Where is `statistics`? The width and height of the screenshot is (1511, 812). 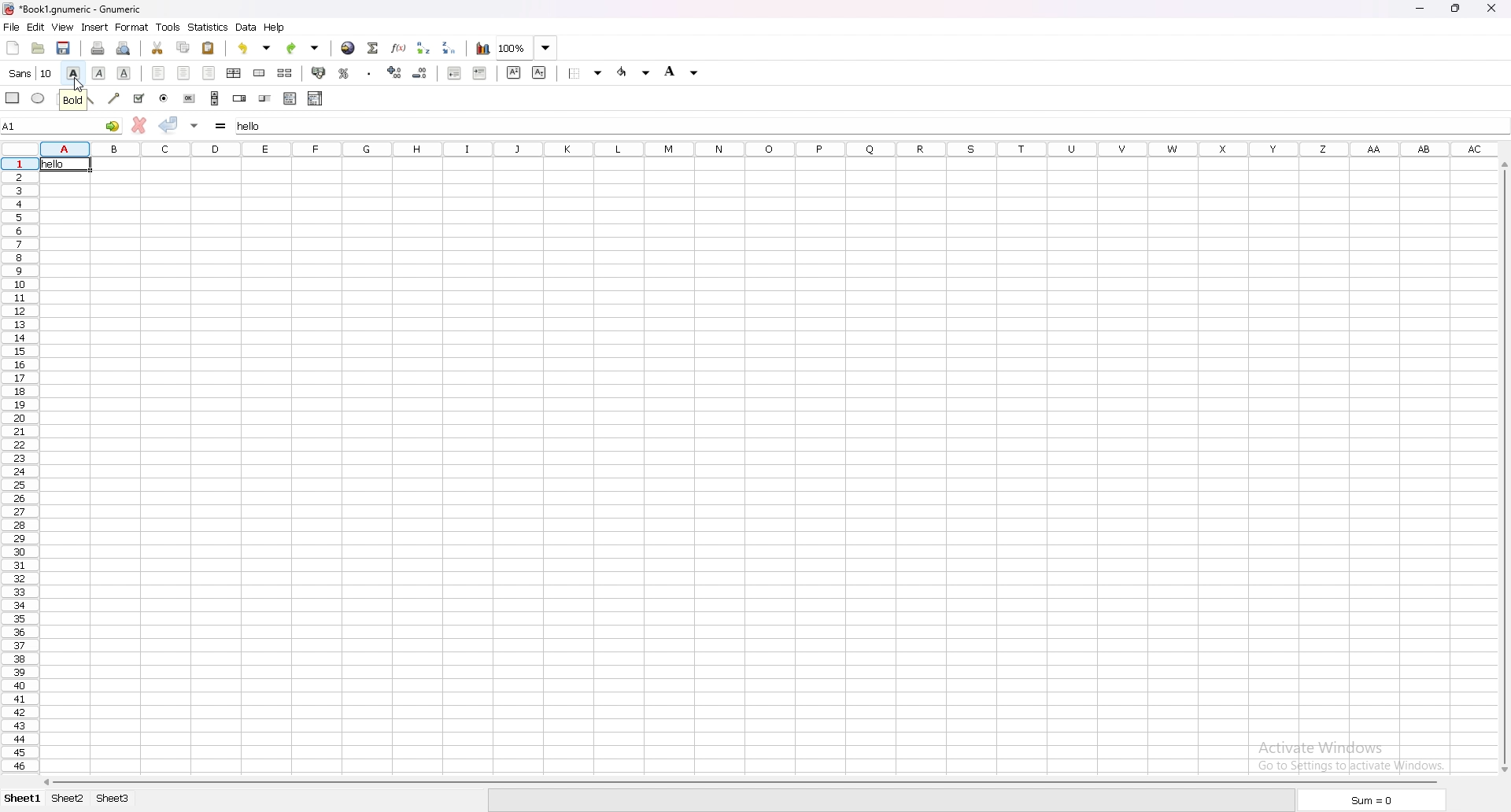
statistics is located at coordinates (207, 28).